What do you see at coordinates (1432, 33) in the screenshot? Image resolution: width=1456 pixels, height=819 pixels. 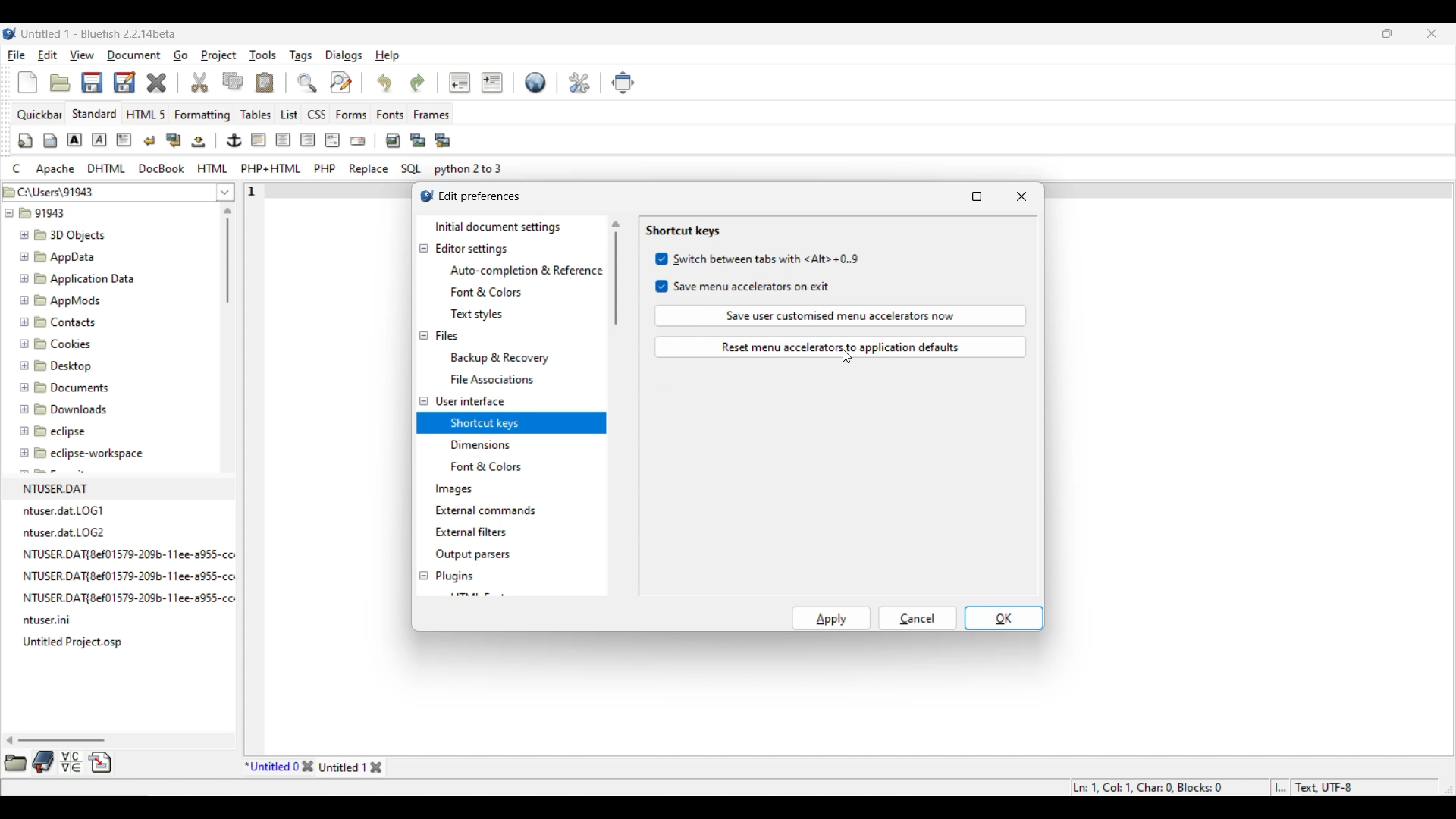 I see `Close interface` at bounding box center [1432, 33].